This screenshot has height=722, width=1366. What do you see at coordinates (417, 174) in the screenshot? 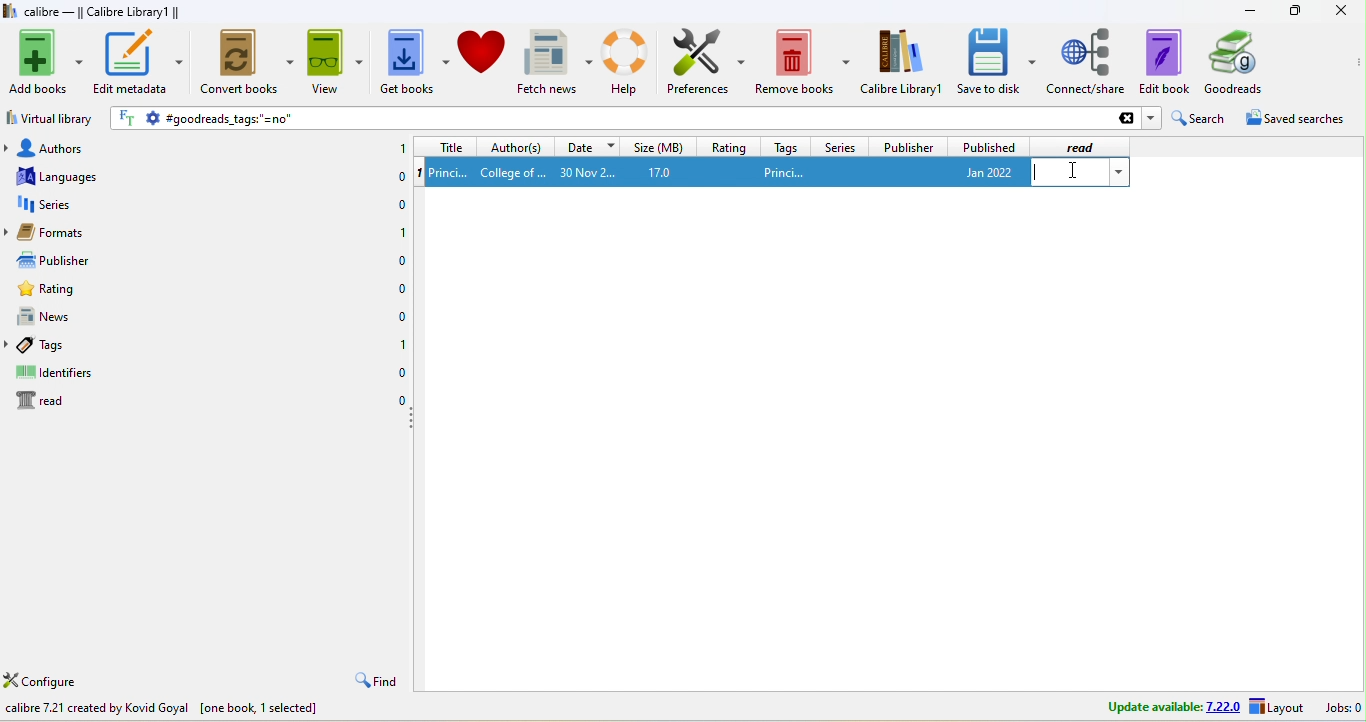
I see `1` at bounding box center [417, 174].